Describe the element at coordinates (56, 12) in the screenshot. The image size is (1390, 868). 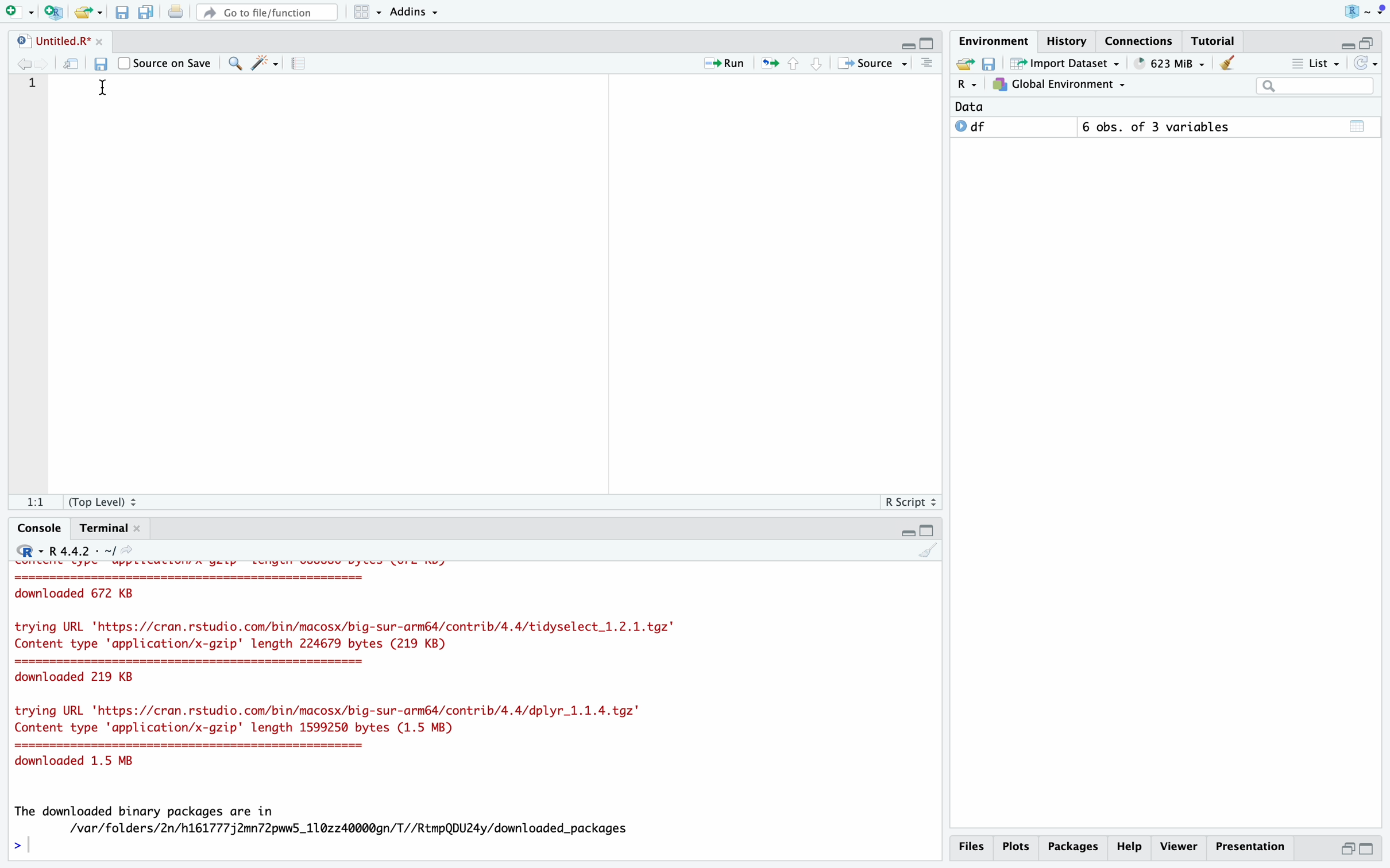
I see `Create new project` at that location.